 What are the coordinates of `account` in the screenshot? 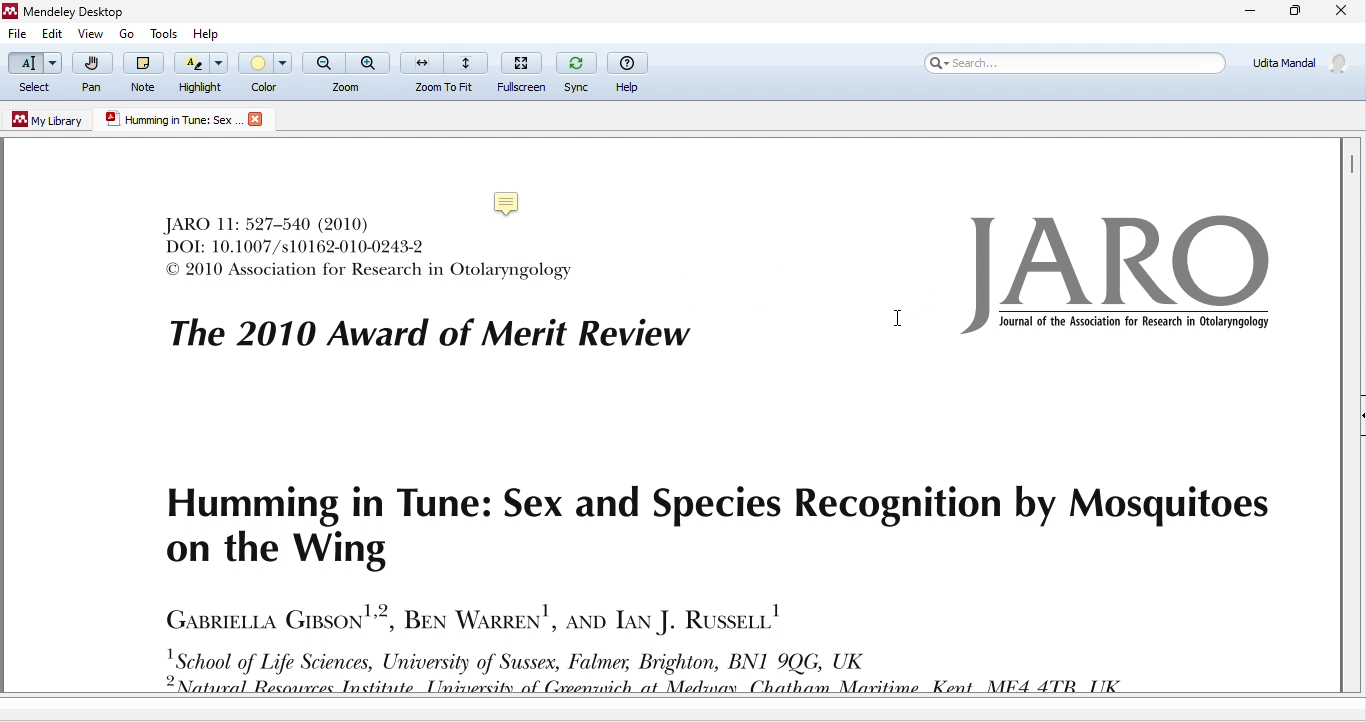 It's located at (1297, 66).